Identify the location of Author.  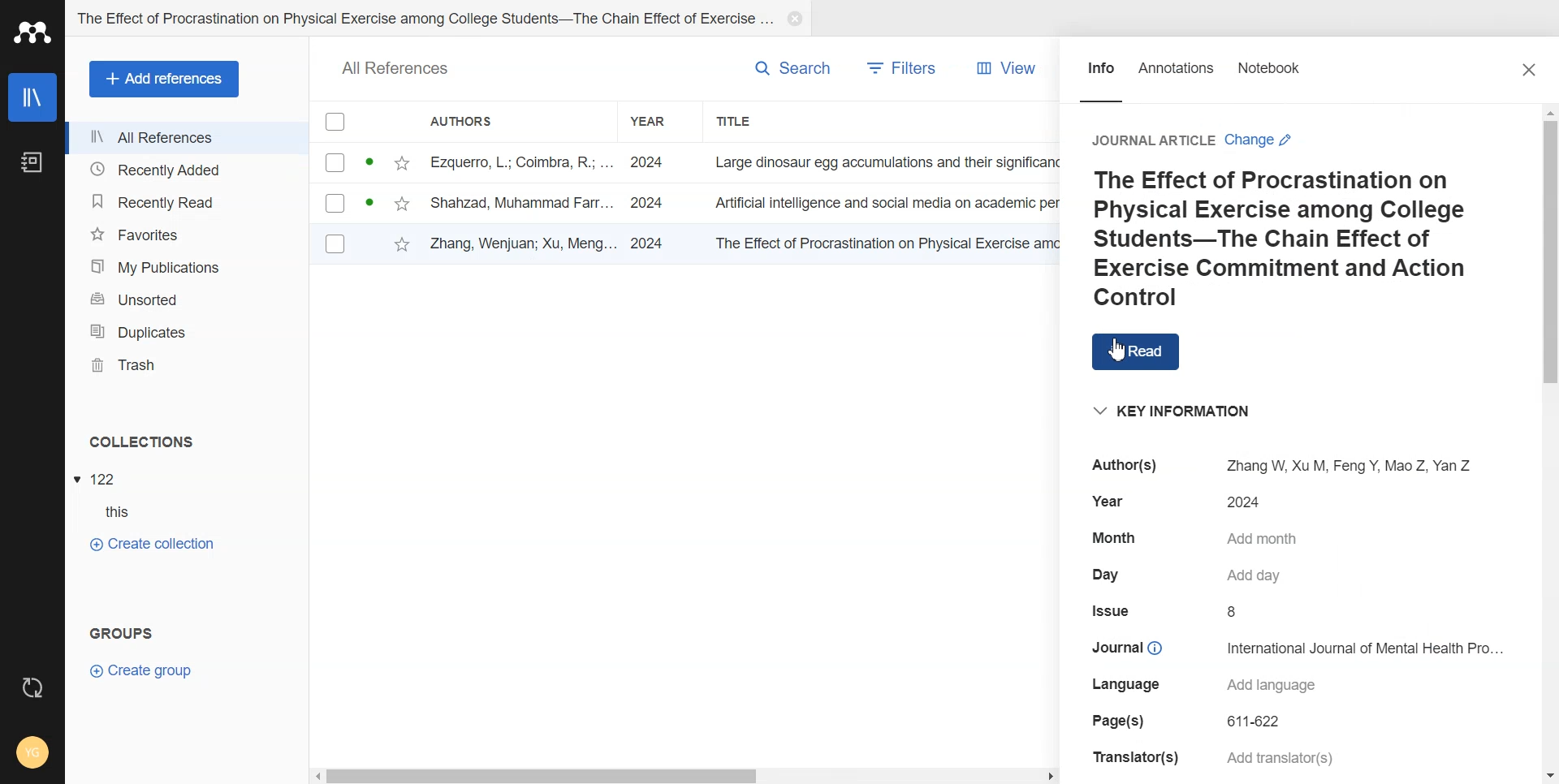
(471, 120).